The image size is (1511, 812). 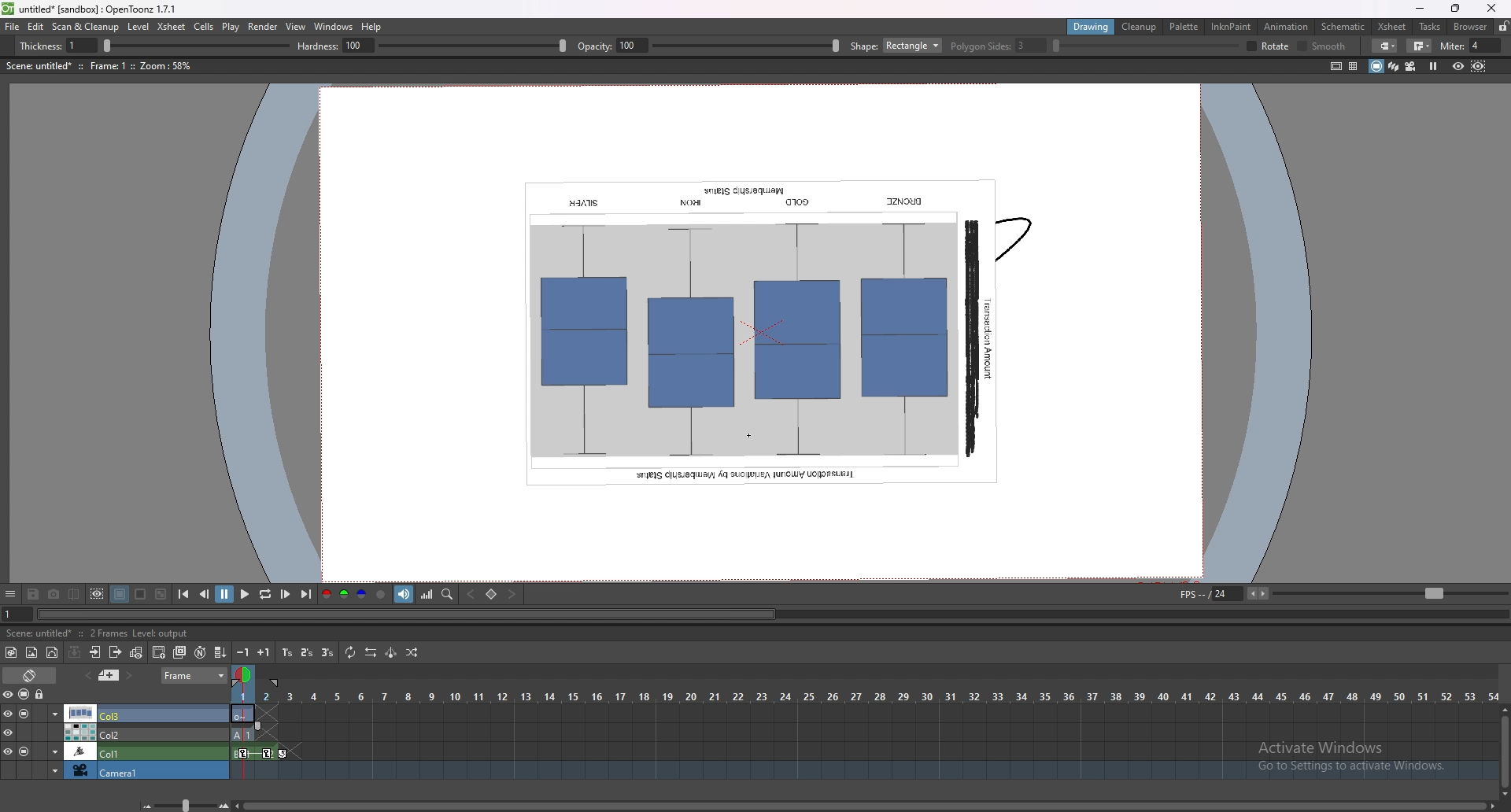 I want to click on camera view, so click(x=1411, y=66).